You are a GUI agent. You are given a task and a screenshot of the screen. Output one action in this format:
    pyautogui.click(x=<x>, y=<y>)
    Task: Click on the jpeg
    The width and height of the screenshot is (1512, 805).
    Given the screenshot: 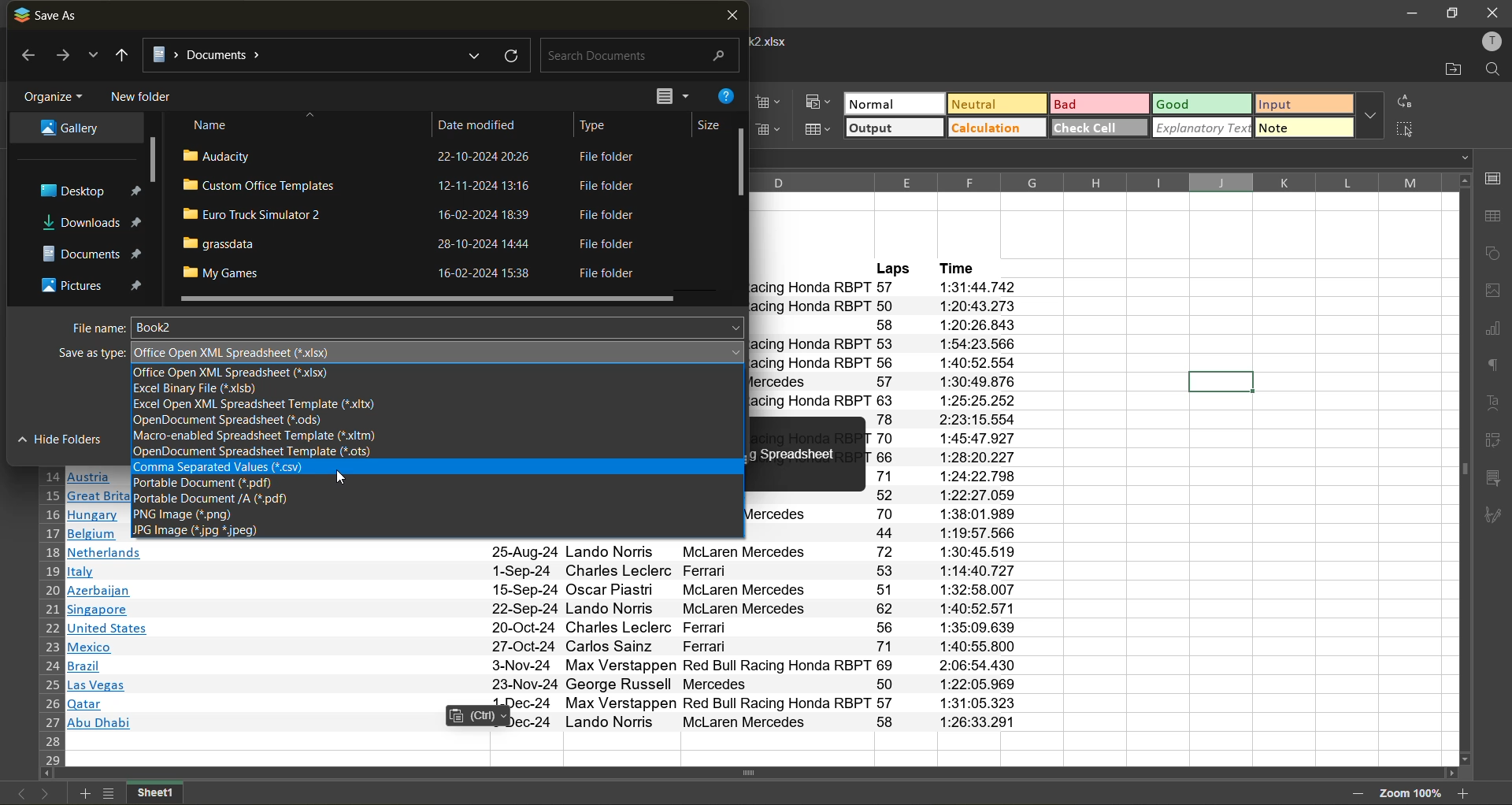 What is the action you would take?
    pyautogui.click(x=203, y=531)
    